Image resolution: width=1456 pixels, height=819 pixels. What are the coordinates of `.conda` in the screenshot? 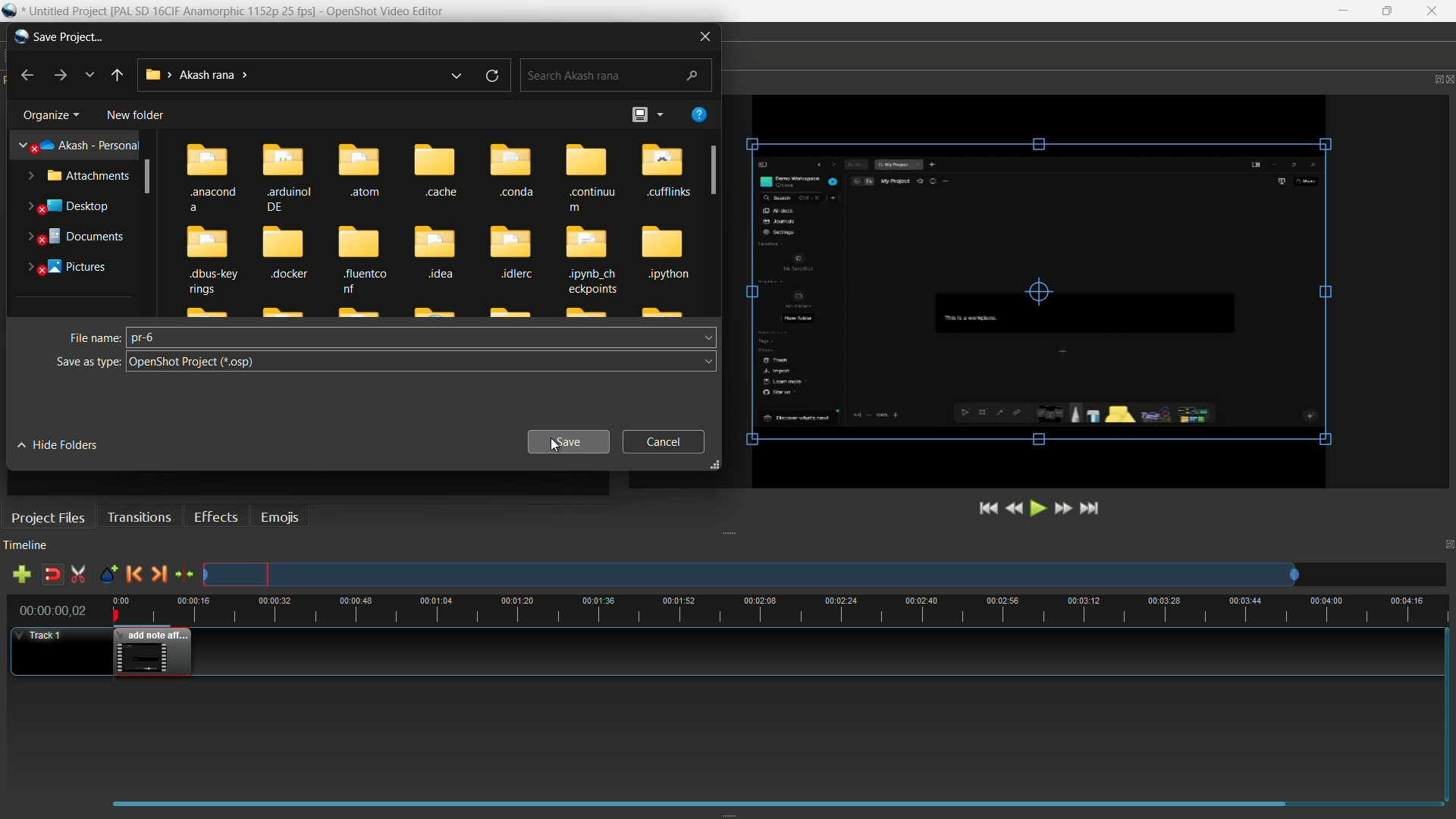 It's located at (517, 176).